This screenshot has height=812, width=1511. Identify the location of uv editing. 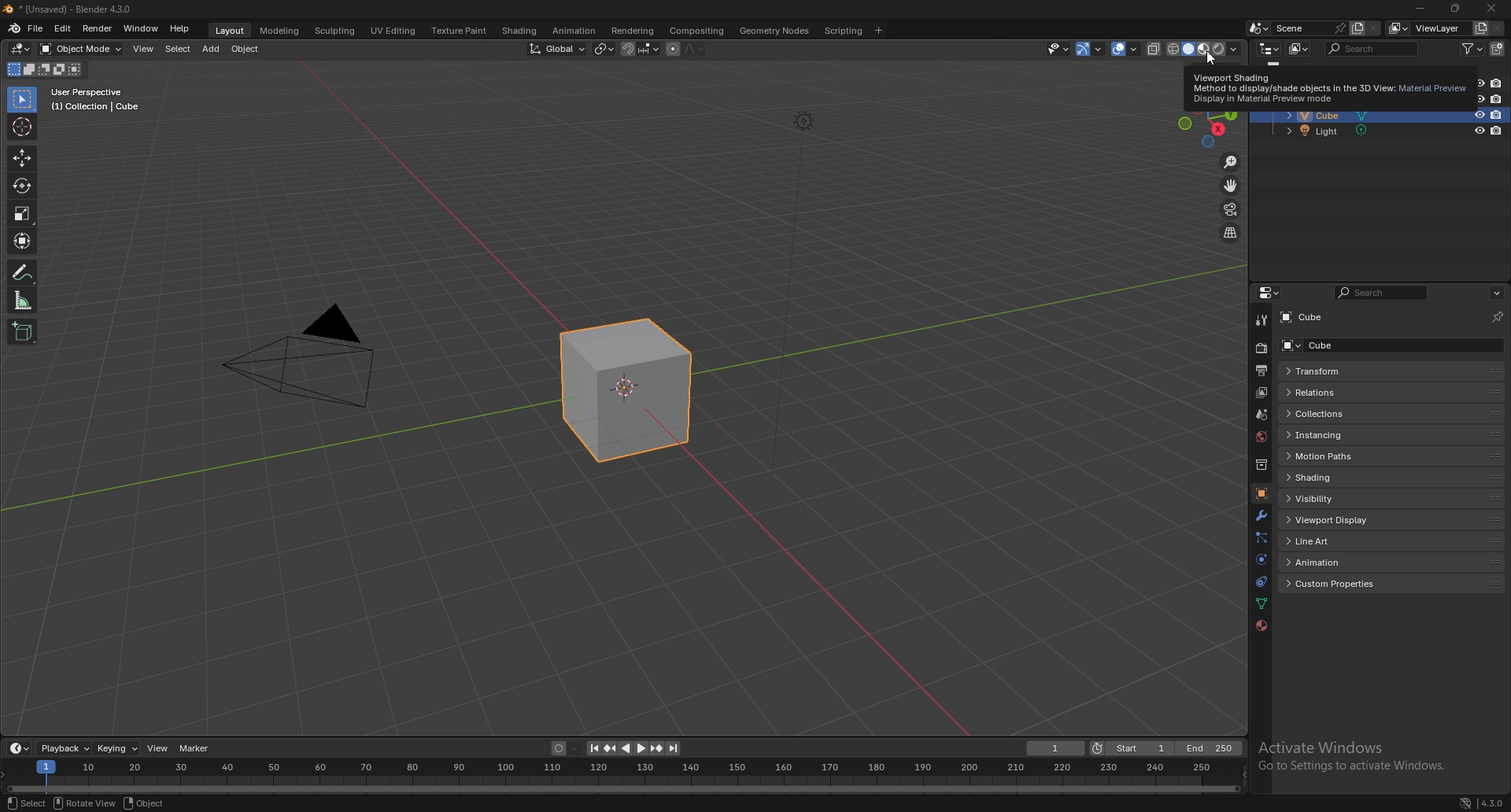
(393, 31).